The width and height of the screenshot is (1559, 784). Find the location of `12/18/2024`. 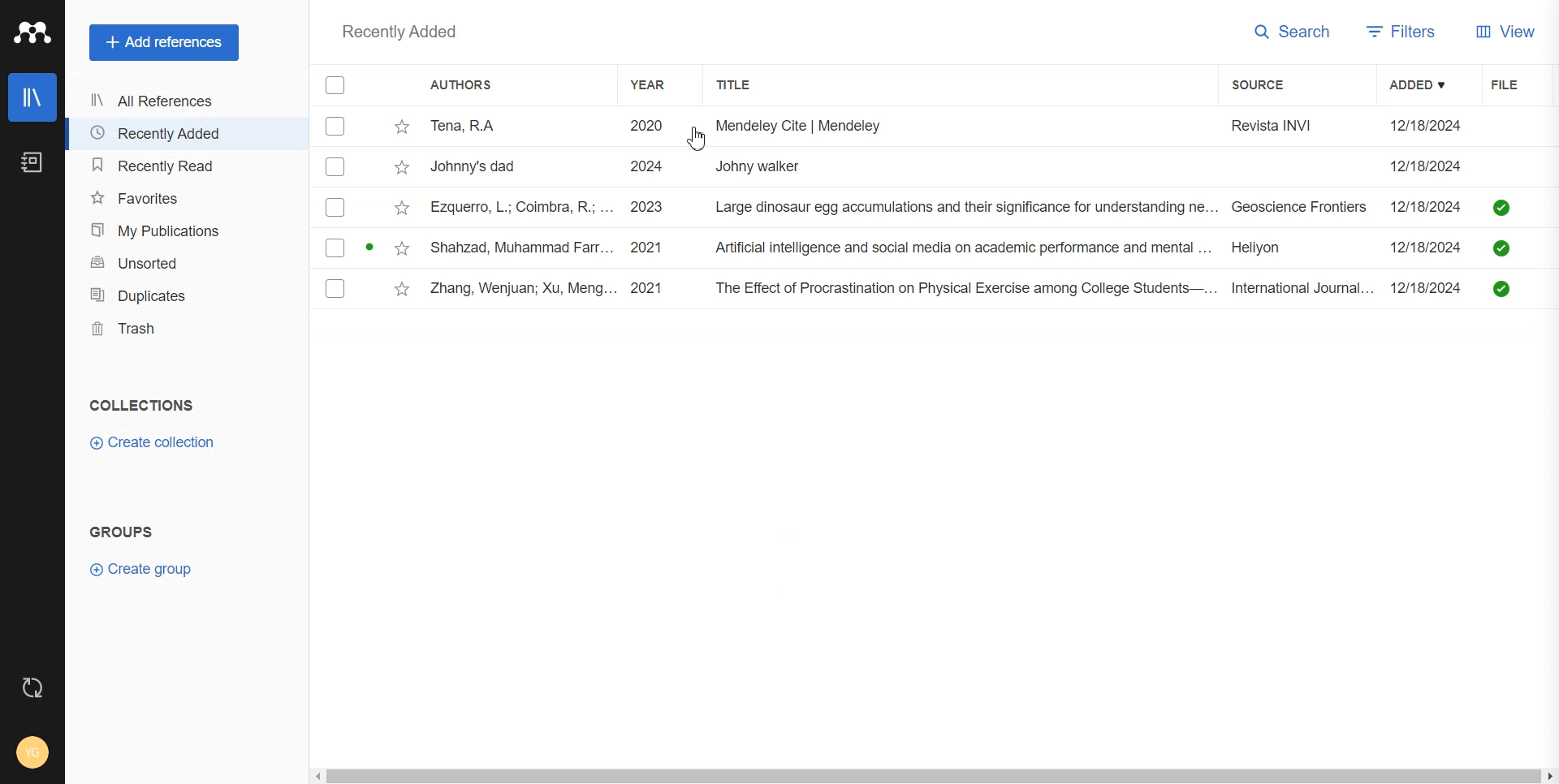

12/18/2024 is located at coordinates (1432, 205).